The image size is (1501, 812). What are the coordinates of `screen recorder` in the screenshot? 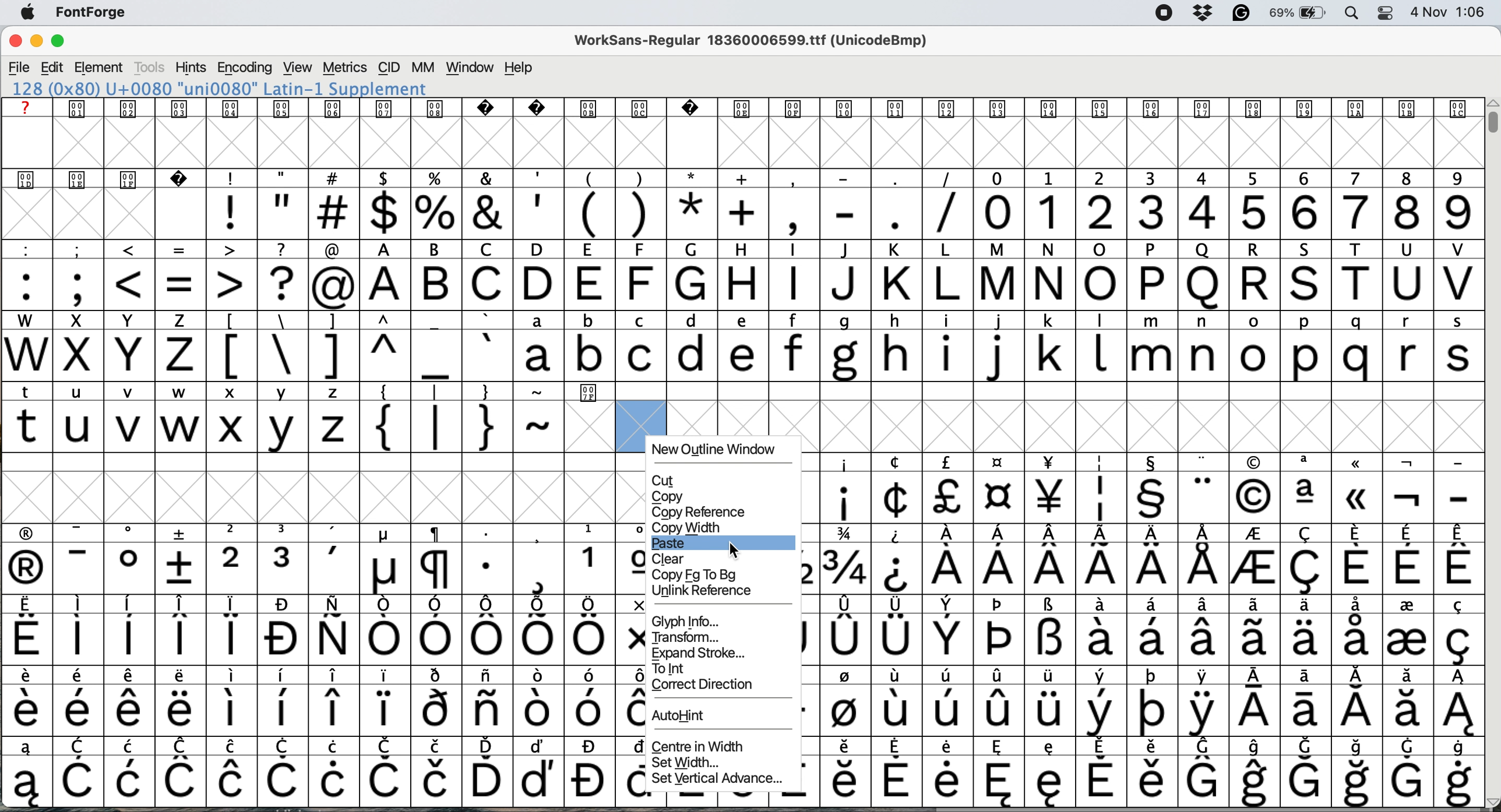 It's located at (1160, 13).